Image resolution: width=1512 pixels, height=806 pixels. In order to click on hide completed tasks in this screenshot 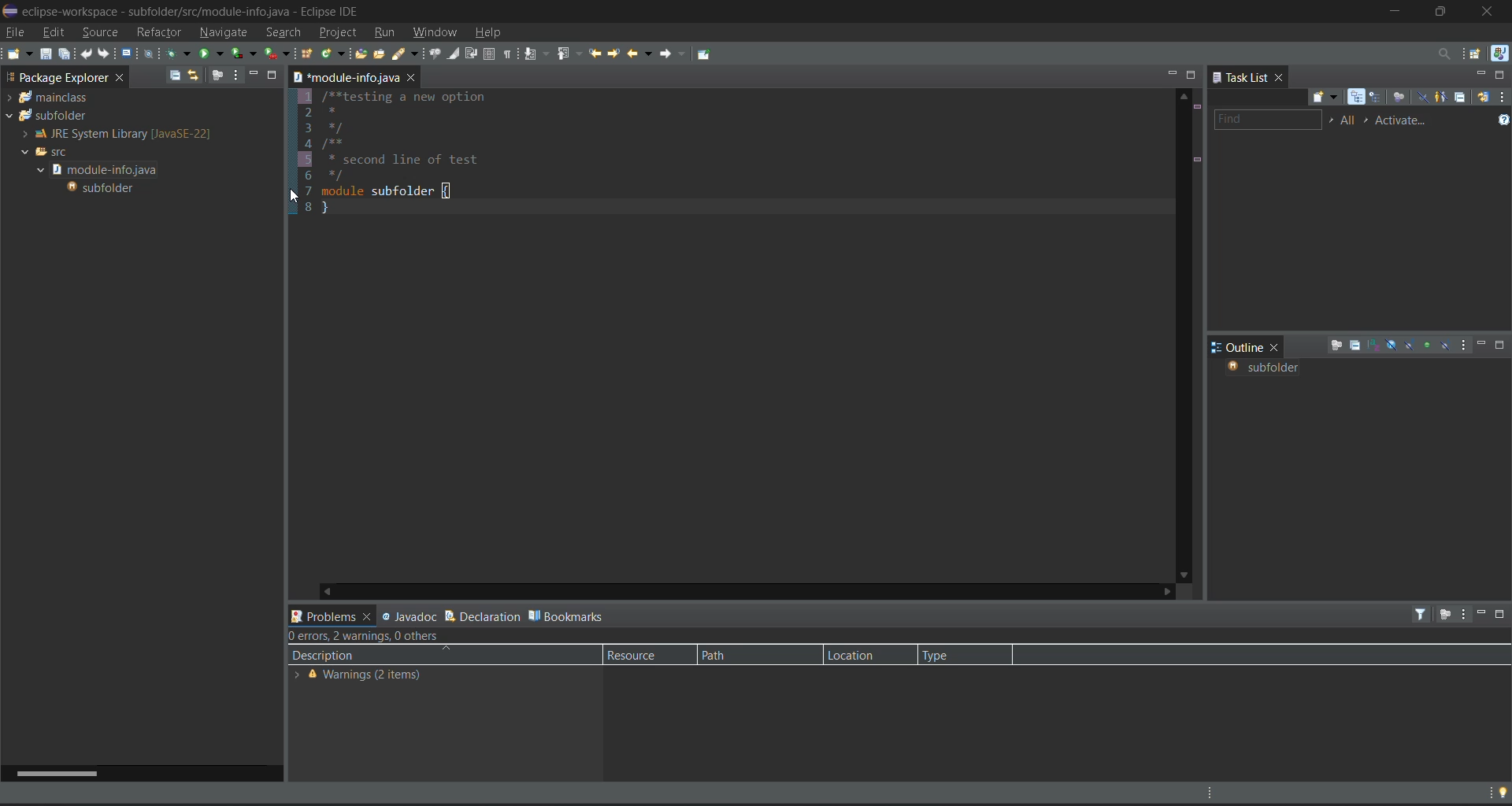, I will do `click(1423, 98)`.